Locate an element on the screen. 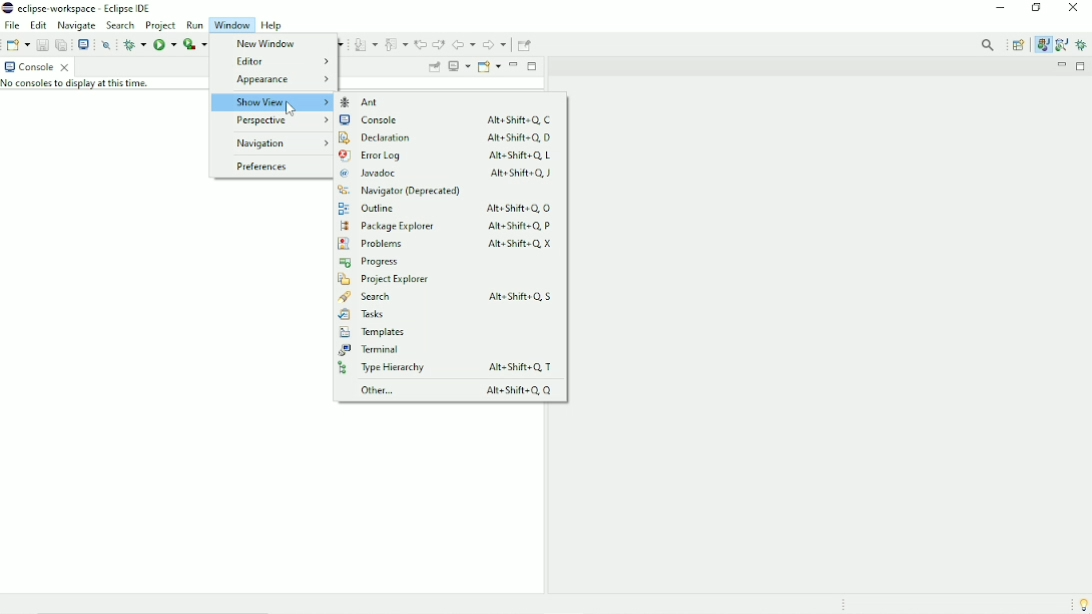 The image size is (1092, 614). File is located at coordinates (12, 25).